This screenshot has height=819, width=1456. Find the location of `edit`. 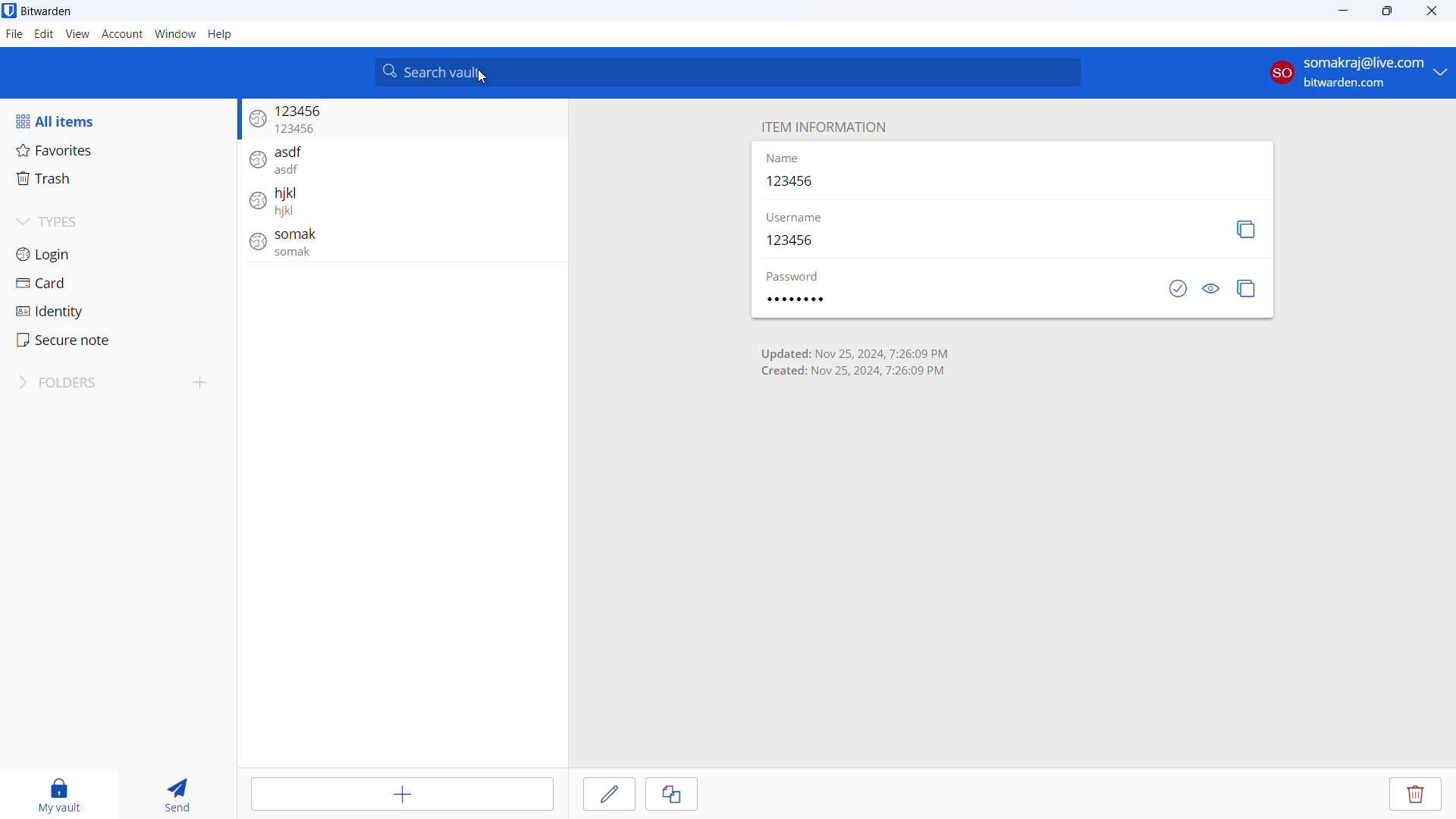

edit is located at coordinates (44, 34).